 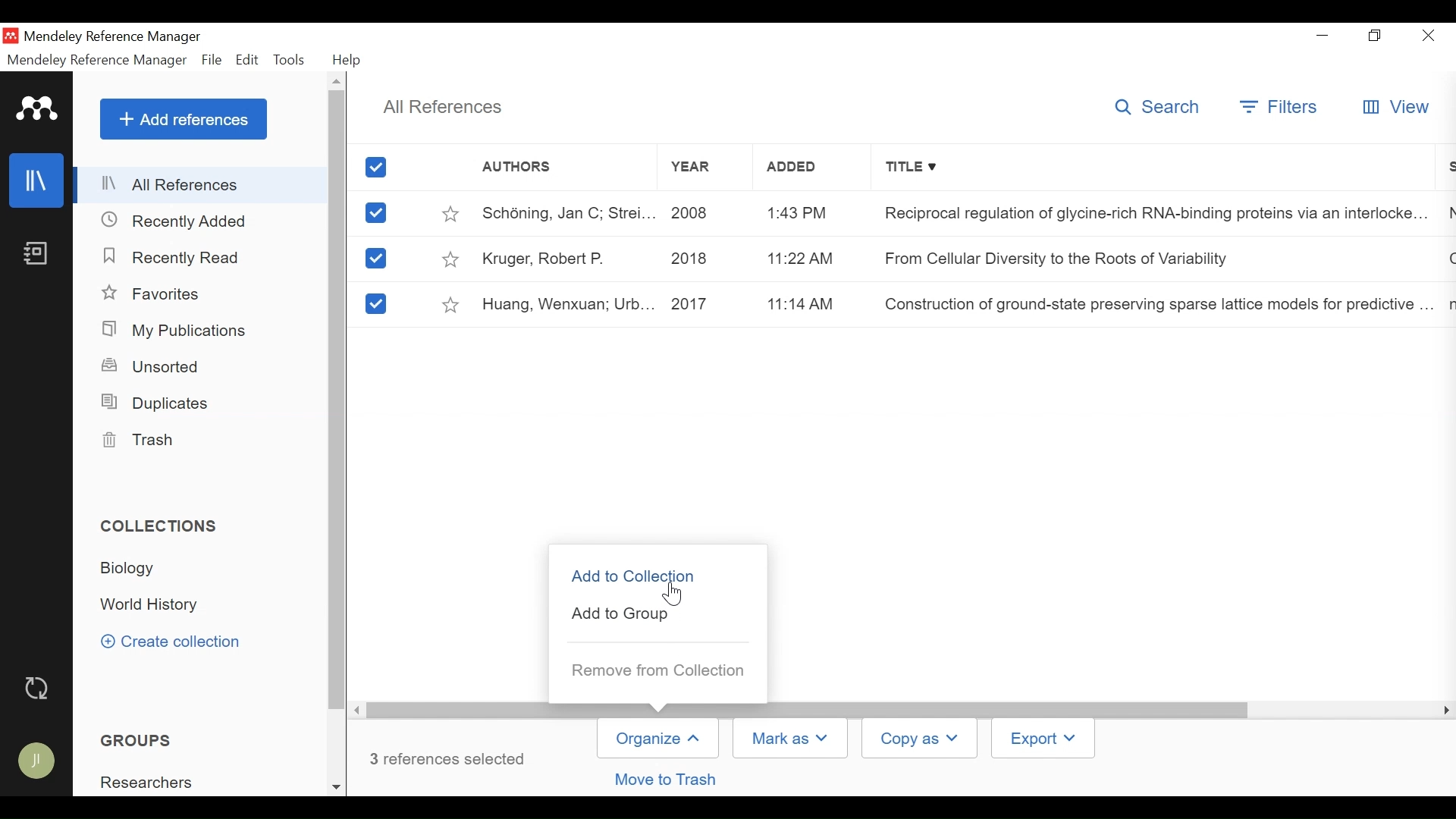 What do you see at coordinates (1280, 108) in the screenshot?
I see `Filters` at bounding box center [1280, 108].